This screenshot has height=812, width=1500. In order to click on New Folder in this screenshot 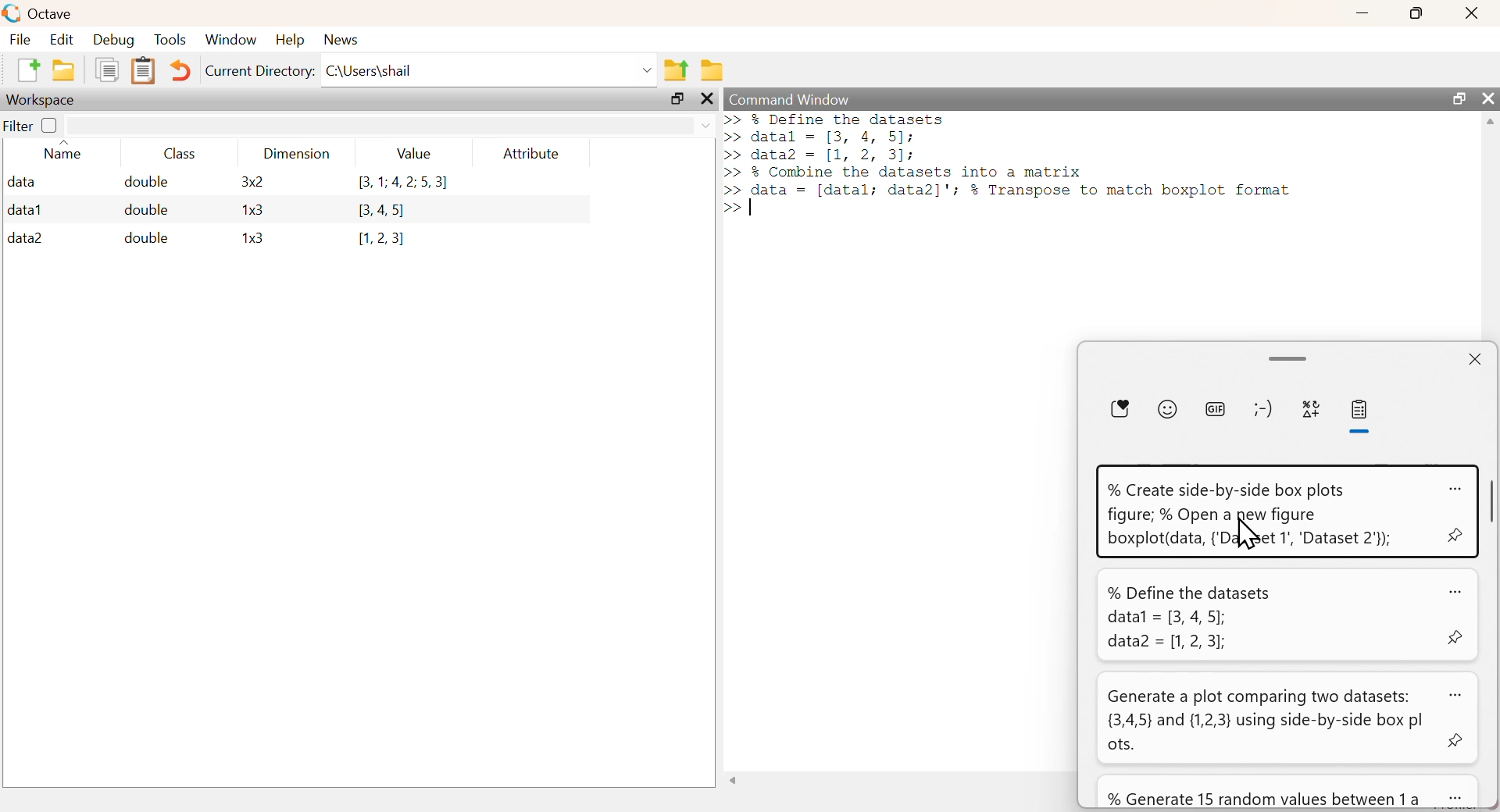, I will do `click(63, 70)`.